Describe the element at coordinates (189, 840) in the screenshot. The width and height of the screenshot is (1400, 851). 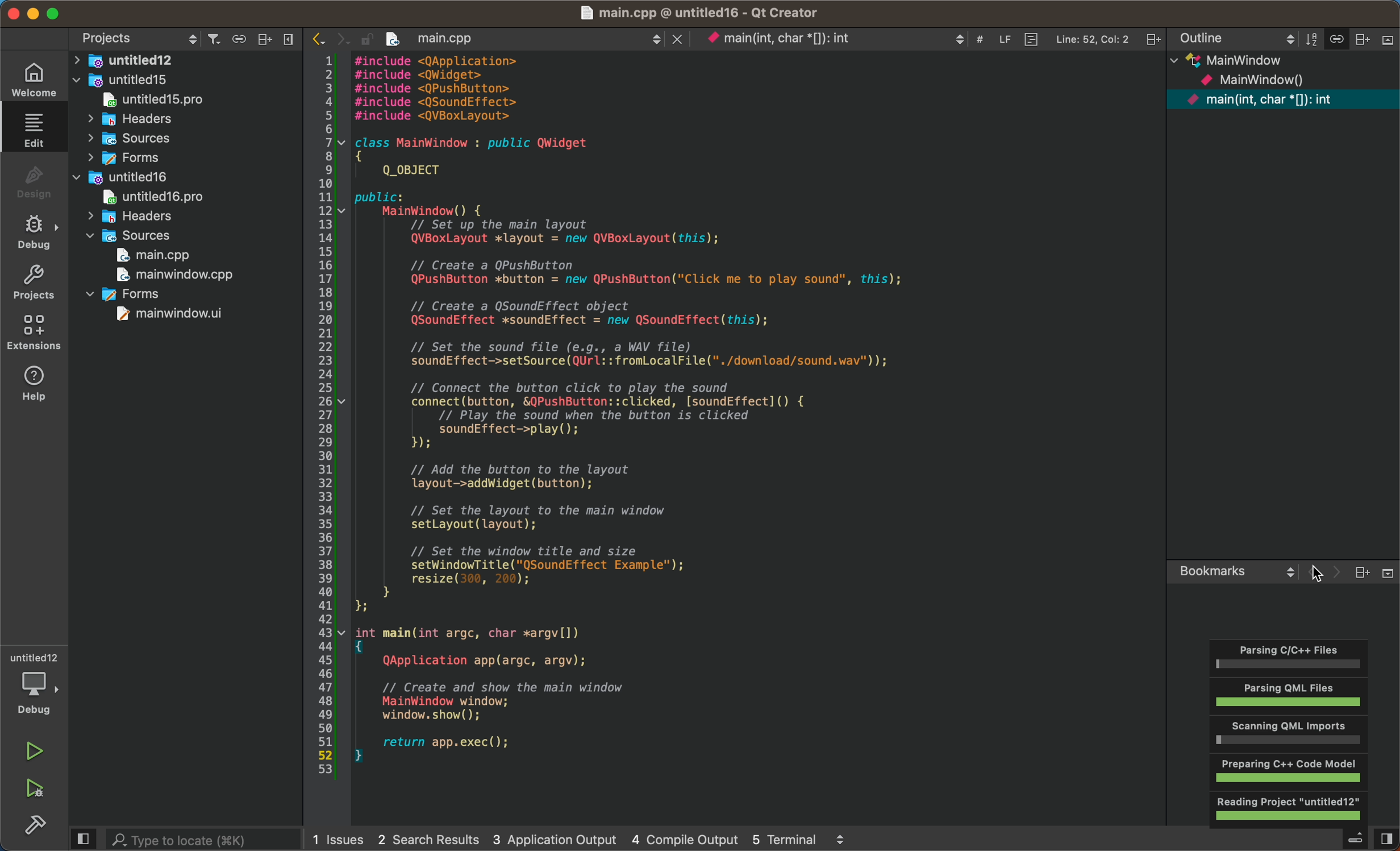
I see `search` at that location.